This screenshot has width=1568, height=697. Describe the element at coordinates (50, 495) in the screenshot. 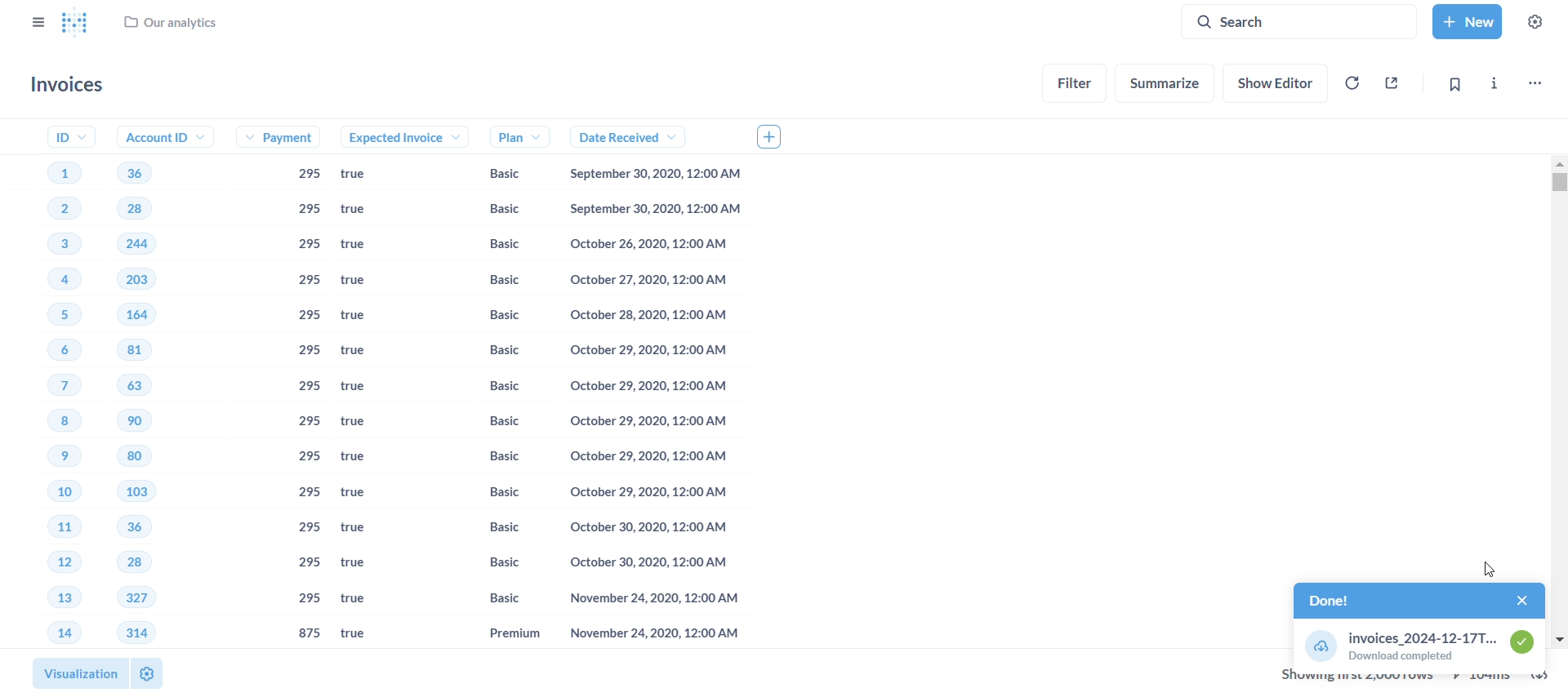

I see `10` at that location.